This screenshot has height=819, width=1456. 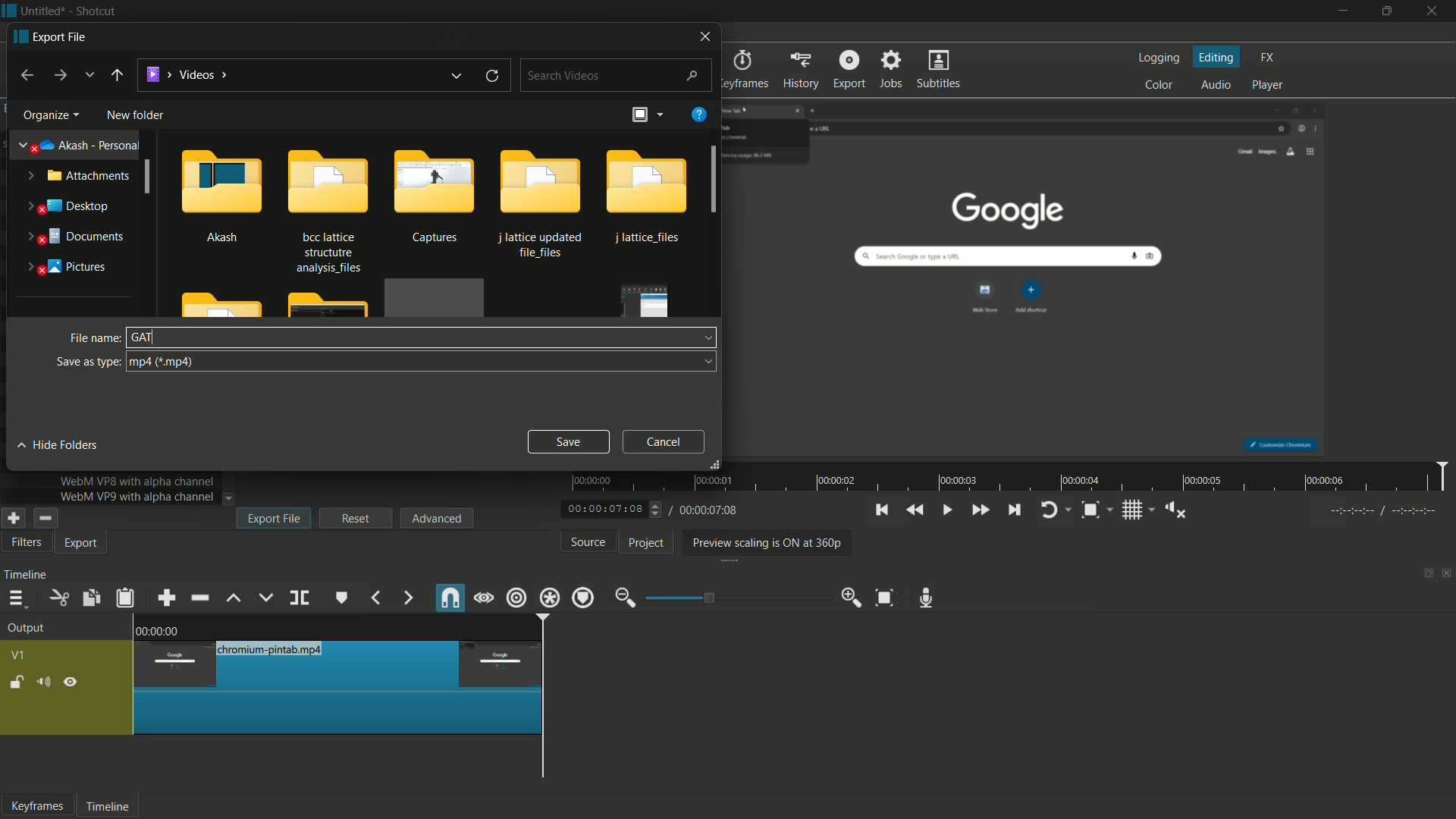 What do you see at coordinates (48, 116) in the screenshot?
I see `organize` at bounding box center [48, 116].